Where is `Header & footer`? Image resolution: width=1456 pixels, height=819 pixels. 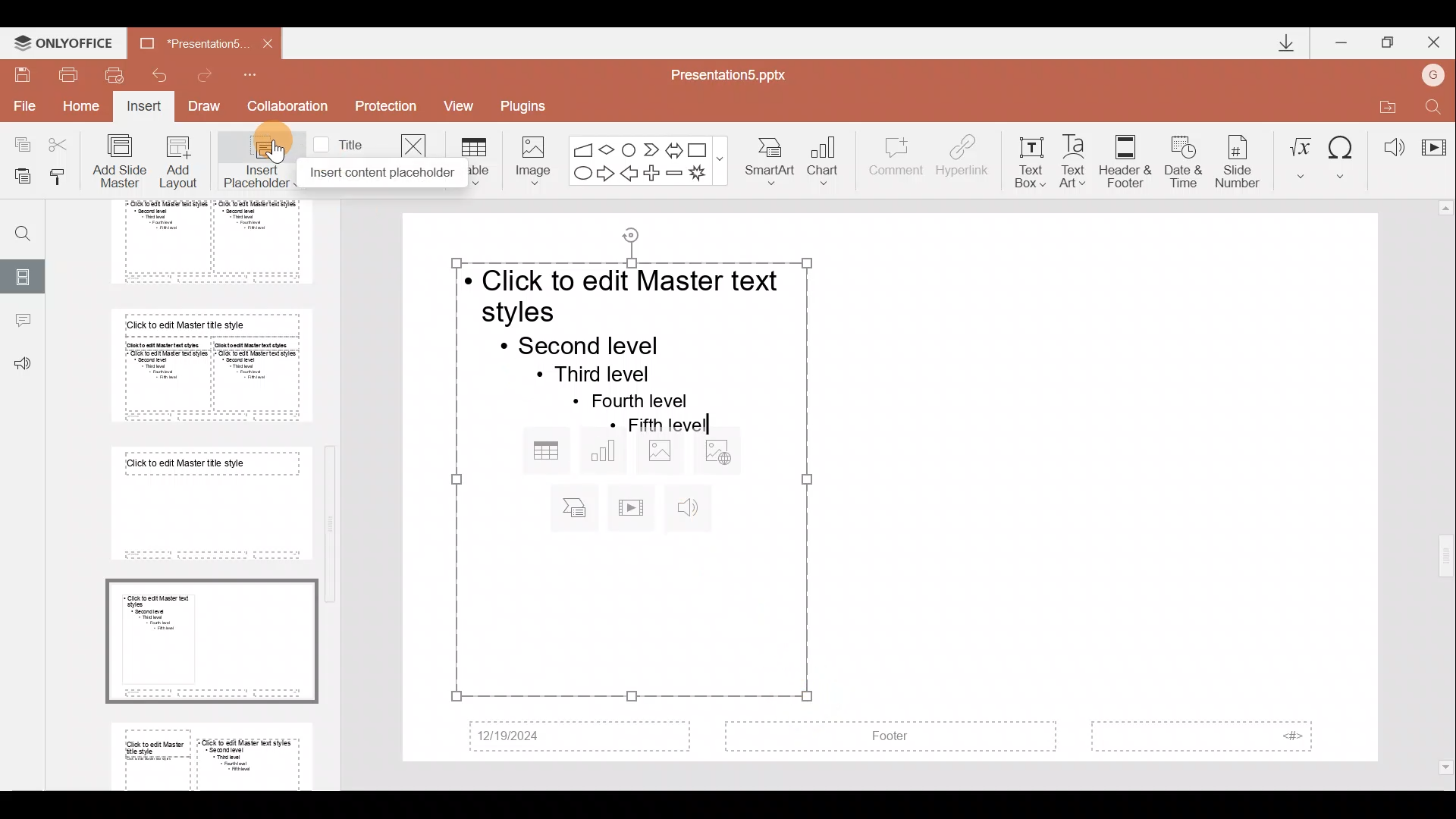 Header & footer is located at coordinates (1125, 161).